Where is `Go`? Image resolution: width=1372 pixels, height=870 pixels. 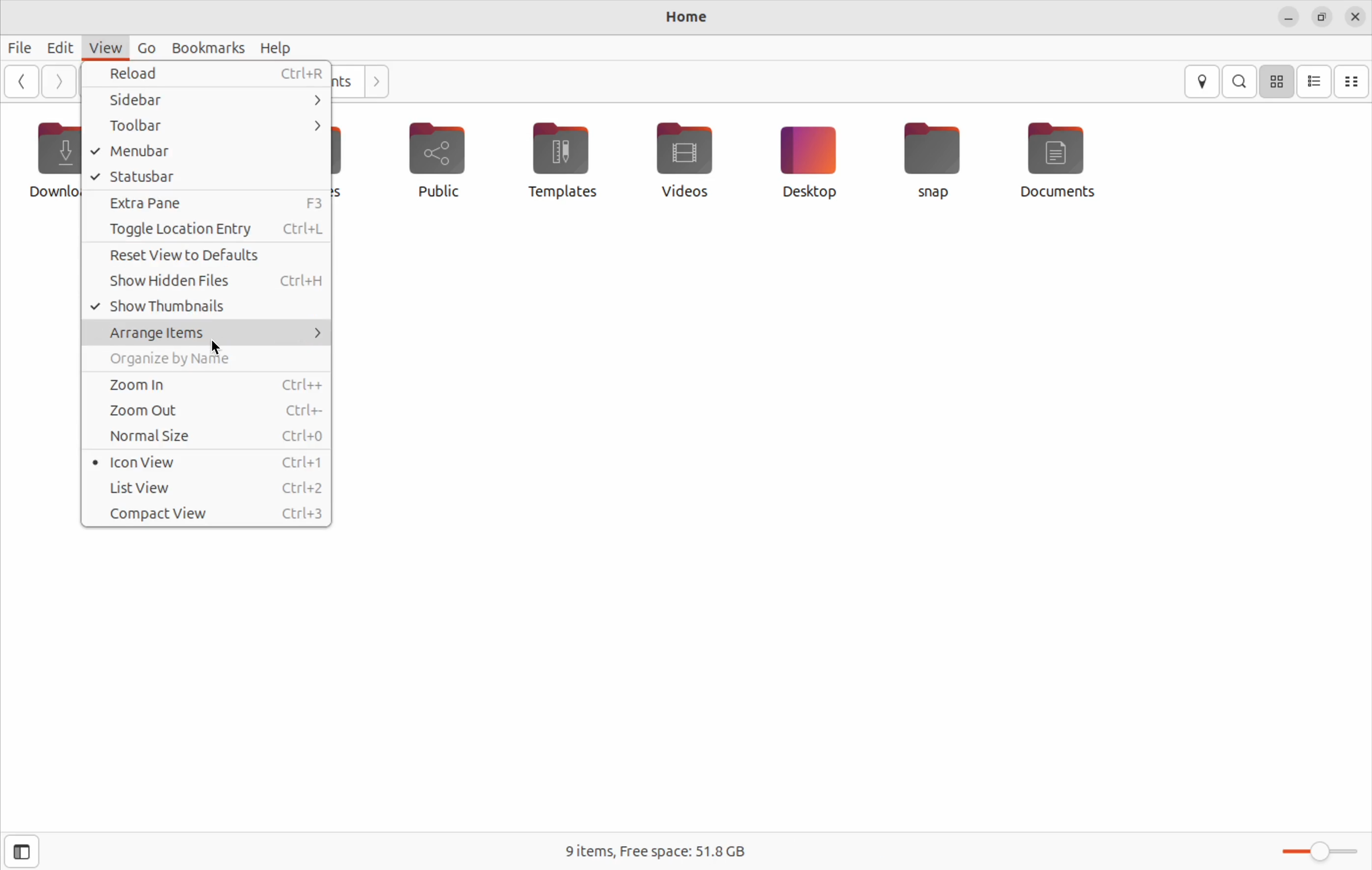
Go is located at coordinates (144, 48).